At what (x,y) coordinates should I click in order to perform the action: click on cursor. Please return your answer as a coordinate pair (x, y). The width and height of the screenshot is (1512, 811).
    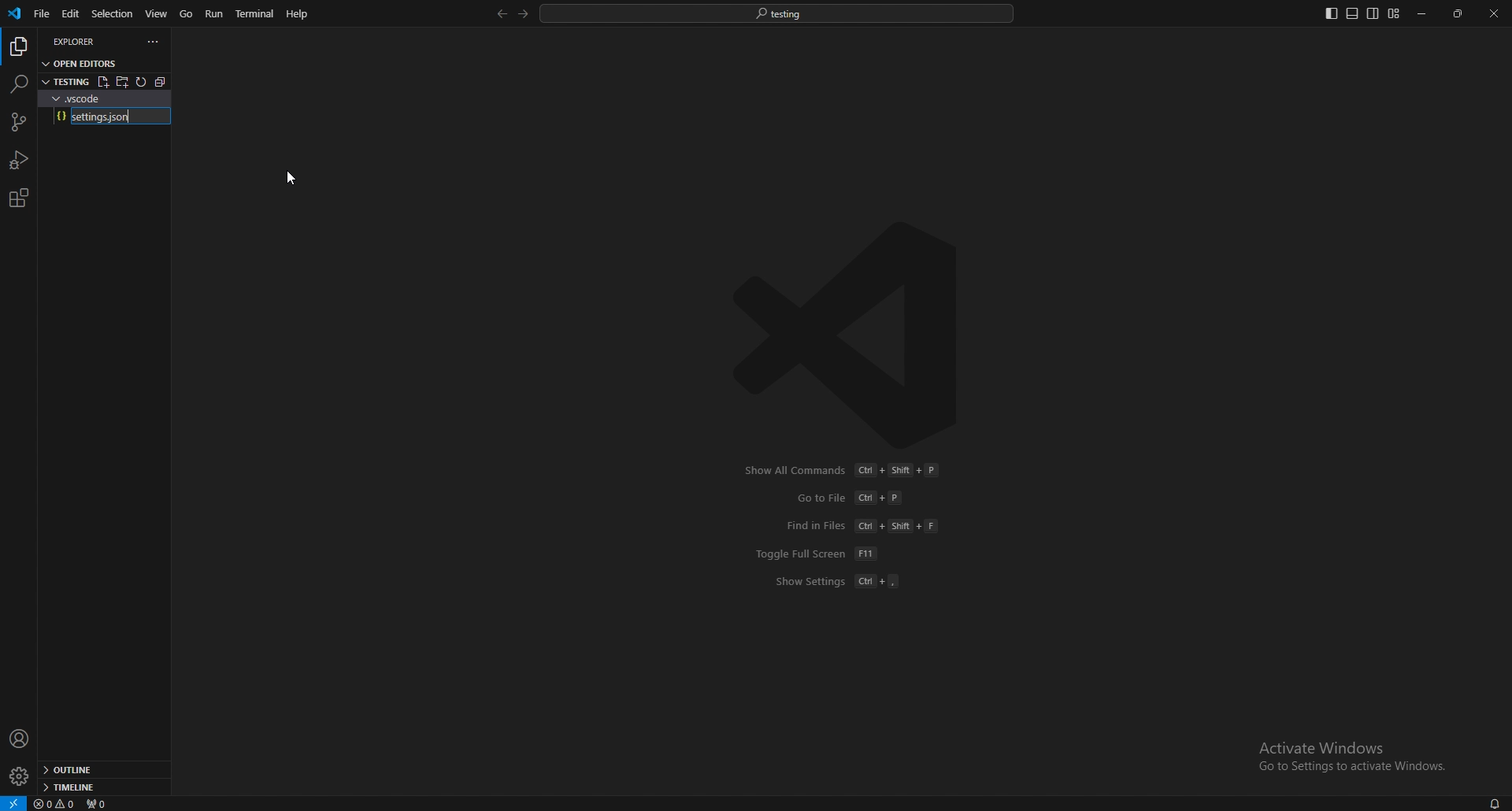
    Looking at the image, I should click on (296, 179).